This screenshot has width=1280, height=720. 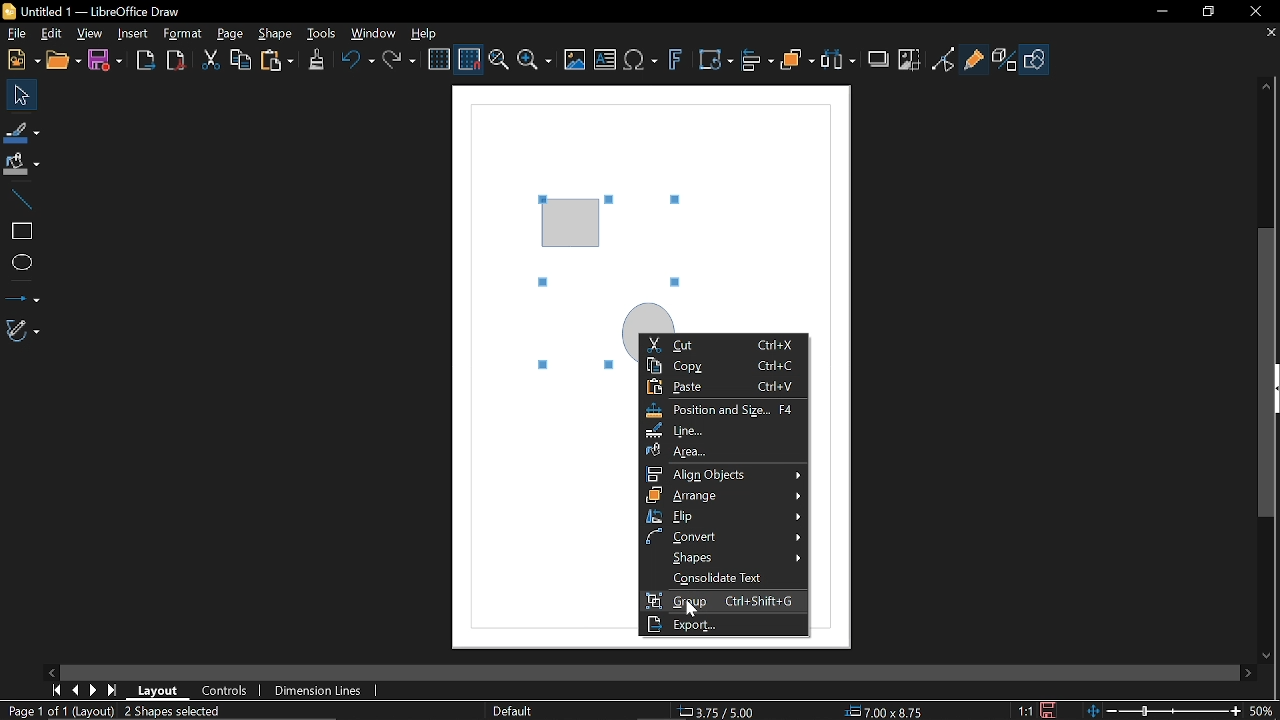 I want to click on Line color, so click(x=22, y=129).